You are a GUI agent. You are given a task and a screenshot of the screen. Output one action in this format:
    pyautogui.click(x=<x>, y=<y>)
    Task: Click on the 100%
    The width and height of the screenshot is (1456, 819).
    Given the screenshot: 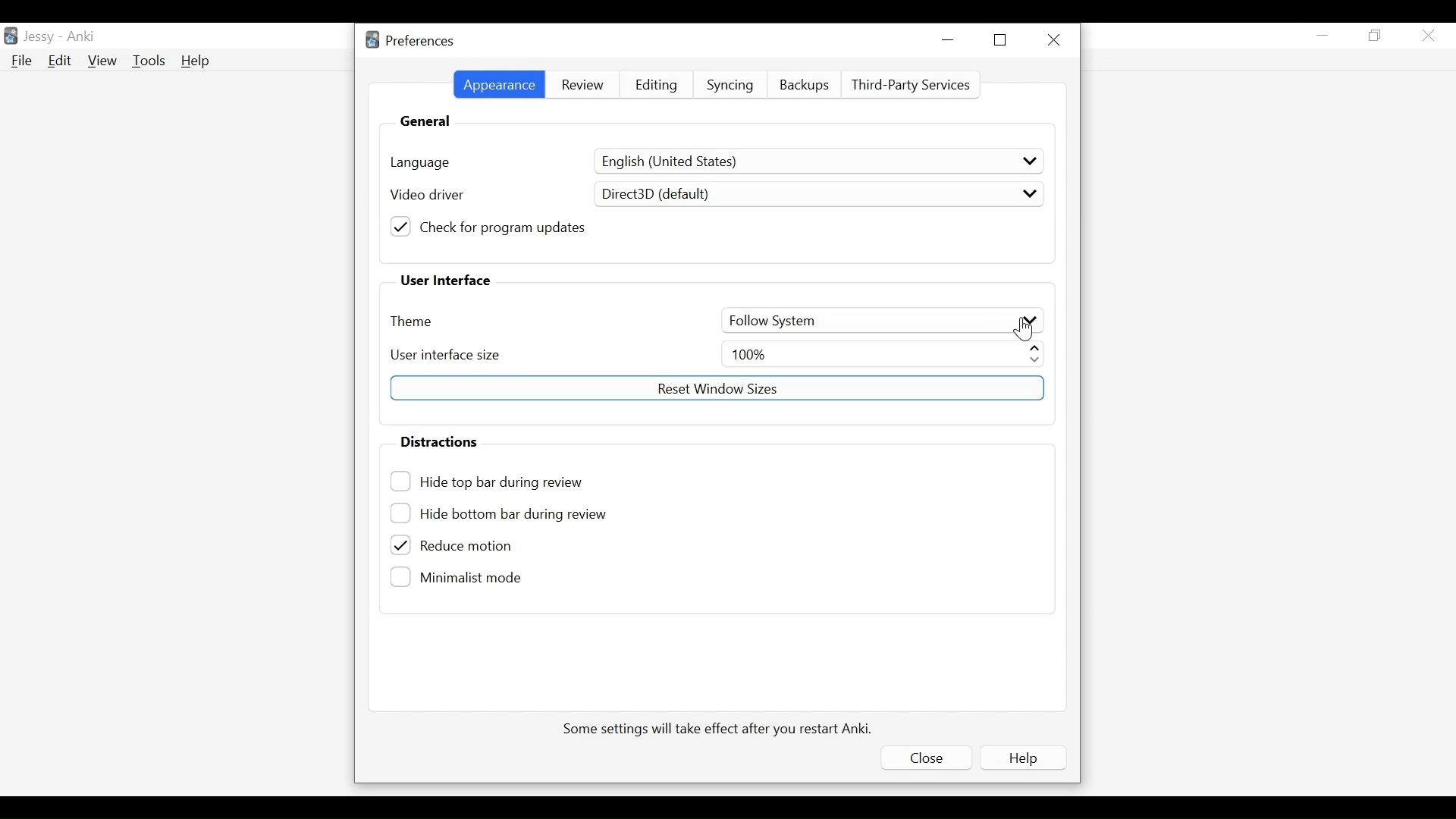 What is the action you would take?
    pyautogui.click(x=884, y=353)
    